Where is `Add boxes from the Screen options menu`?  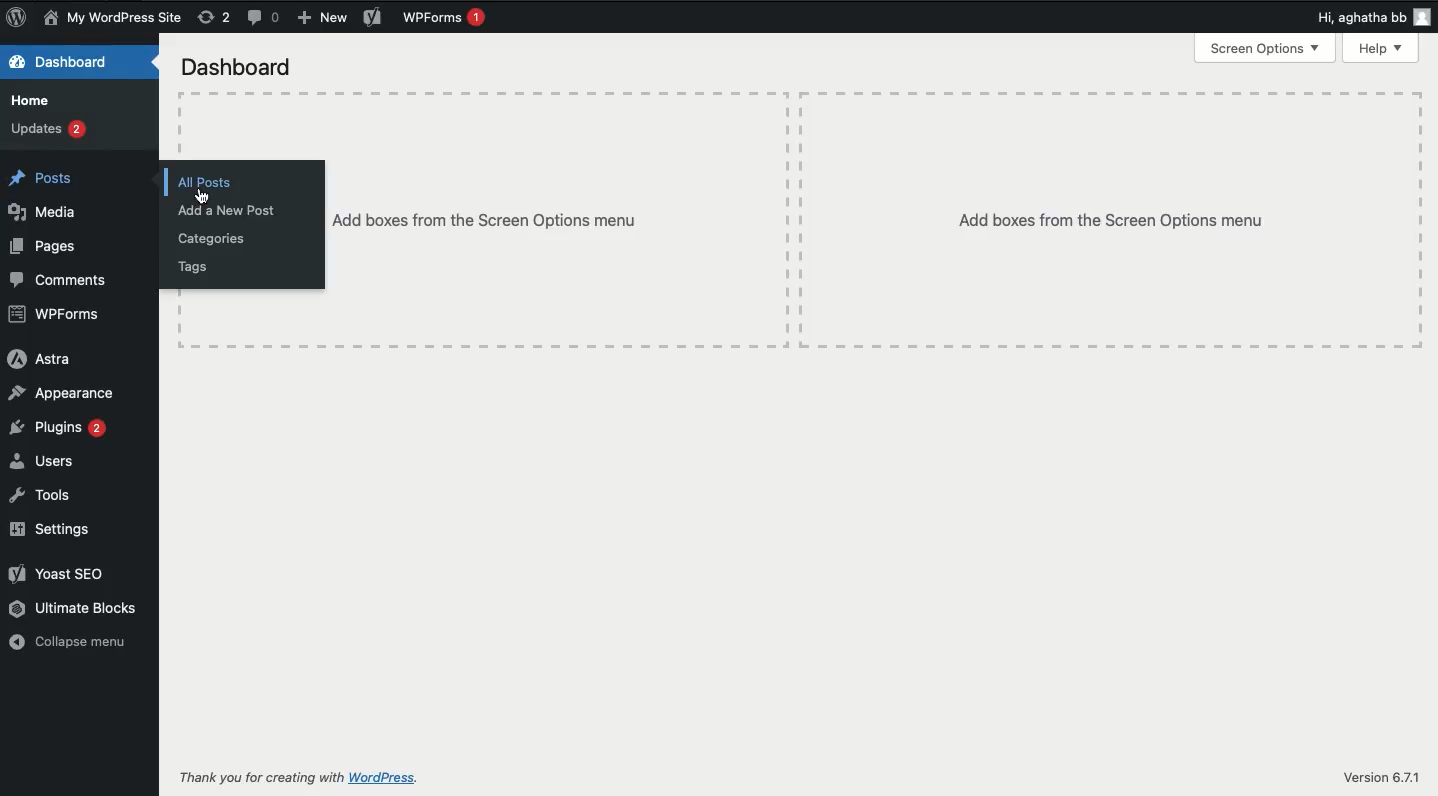
Add boxes from the Screen options menu is located at coordinates (1111, 223).